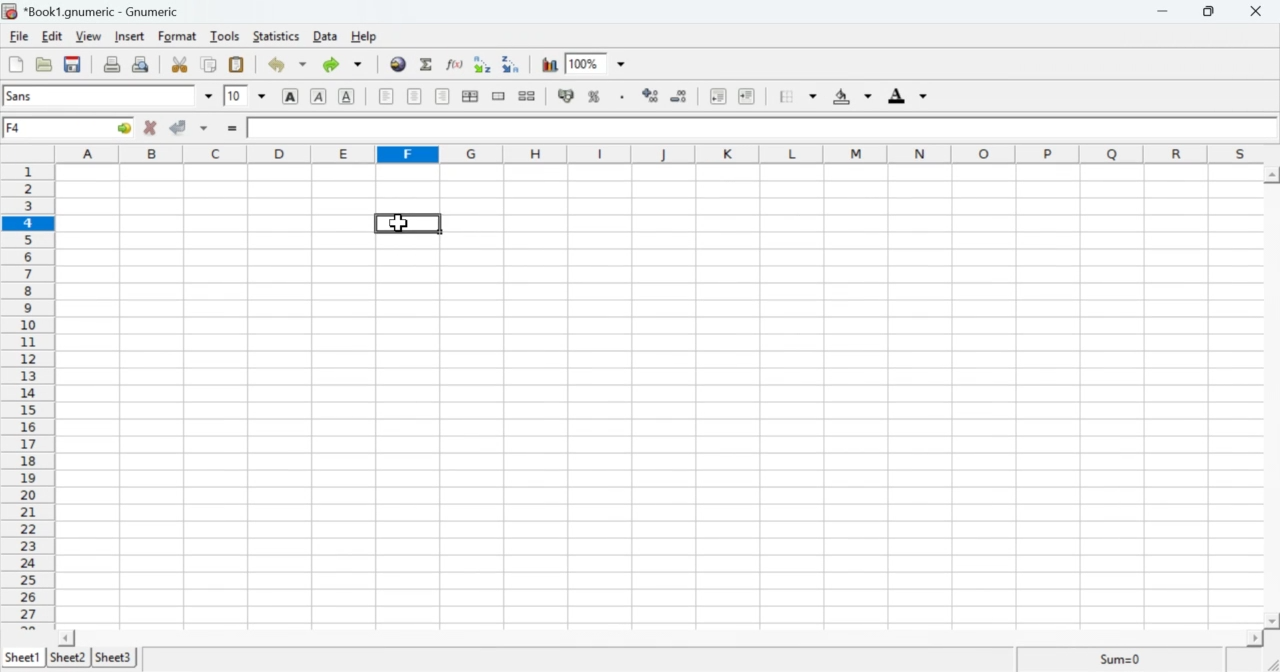  I want to click on Close, so click(1257, 12).